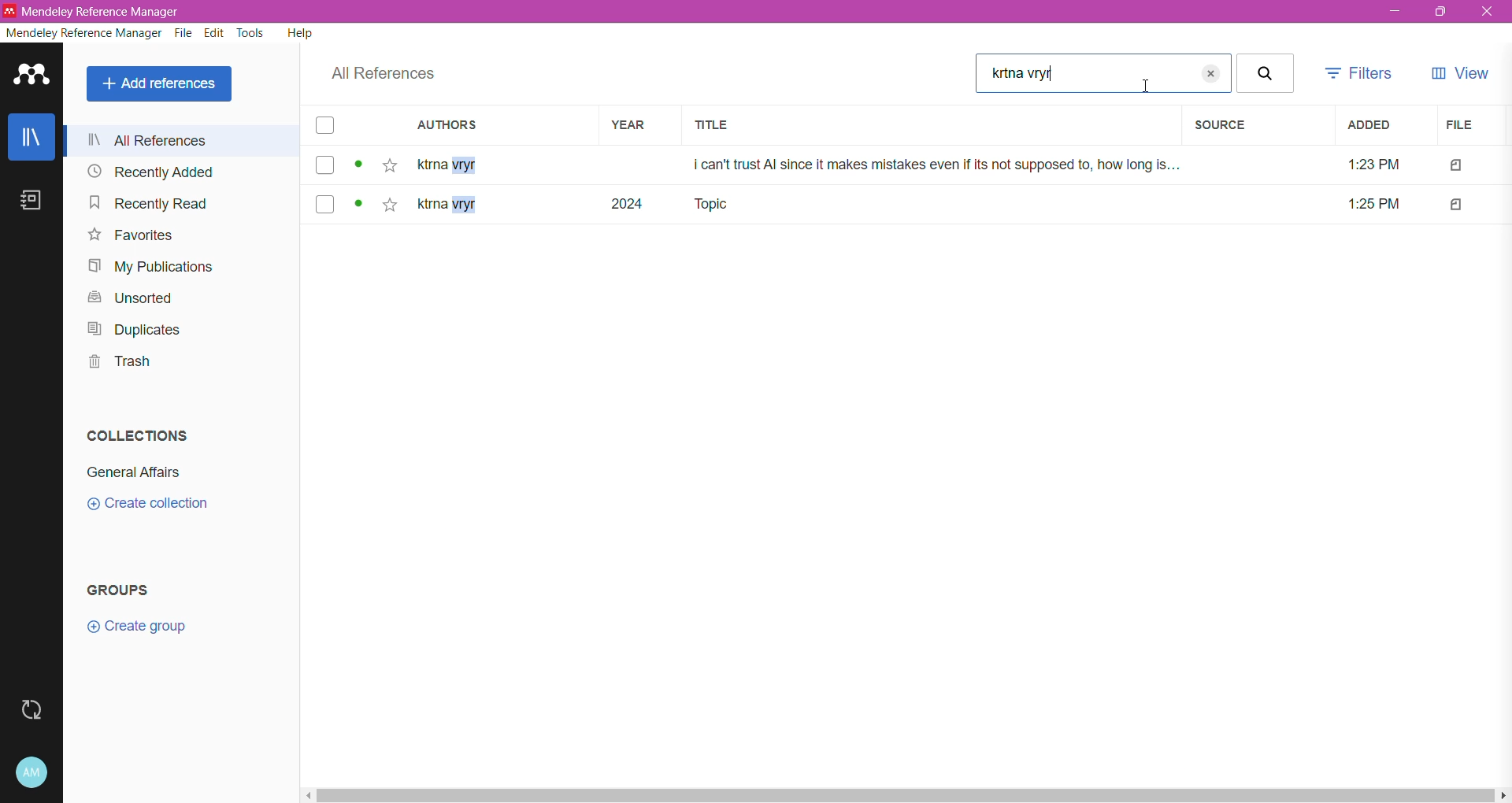 This screenshot has height=803, width=1512. What do you see at coordinates (1443, 13) in the screenshot?
I see `Restore Down` at bounding box center [1443, 13].